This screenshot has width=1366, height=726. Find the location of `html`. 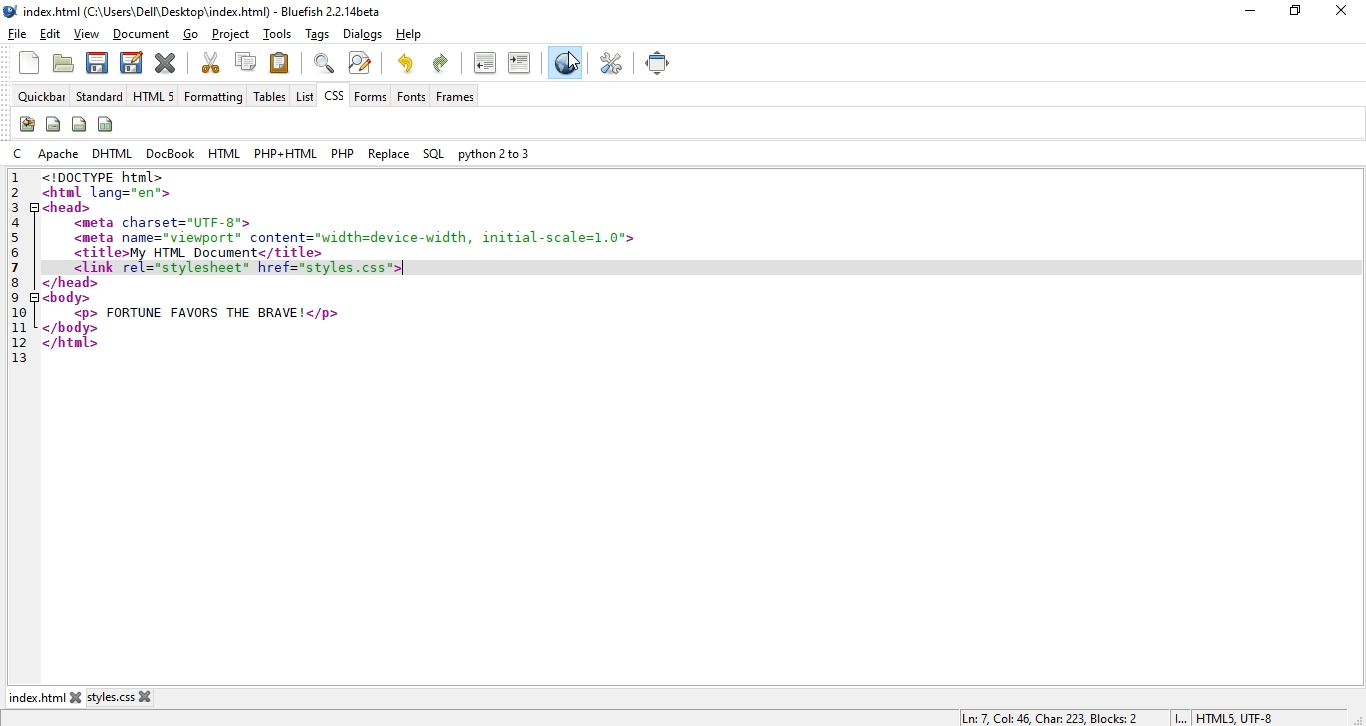

html is located at coordinates (225, 153).